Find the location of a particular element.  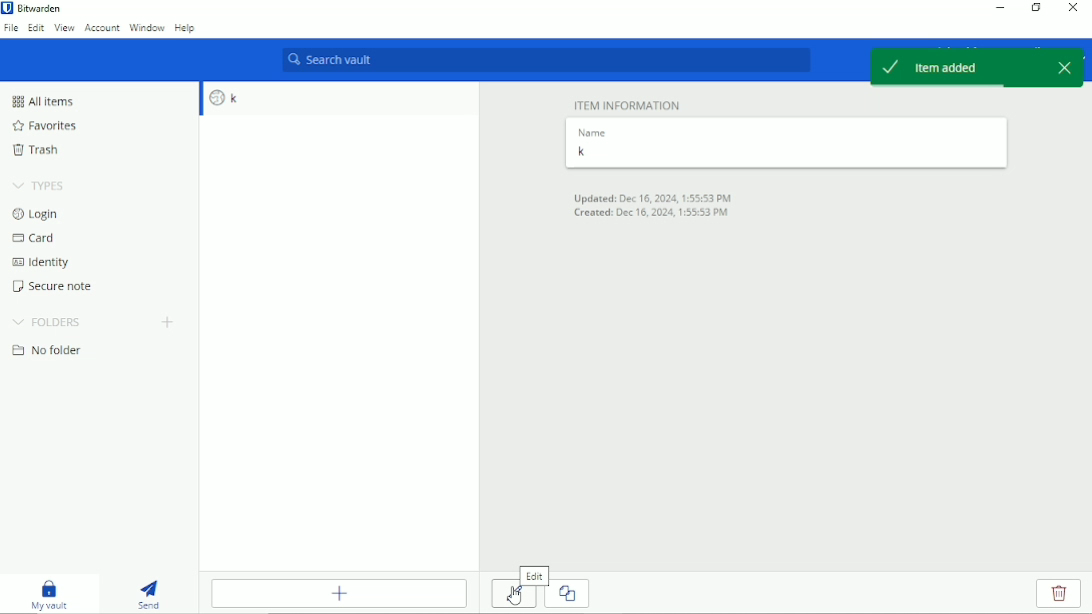

Edit is located at coordinates (36, 28).